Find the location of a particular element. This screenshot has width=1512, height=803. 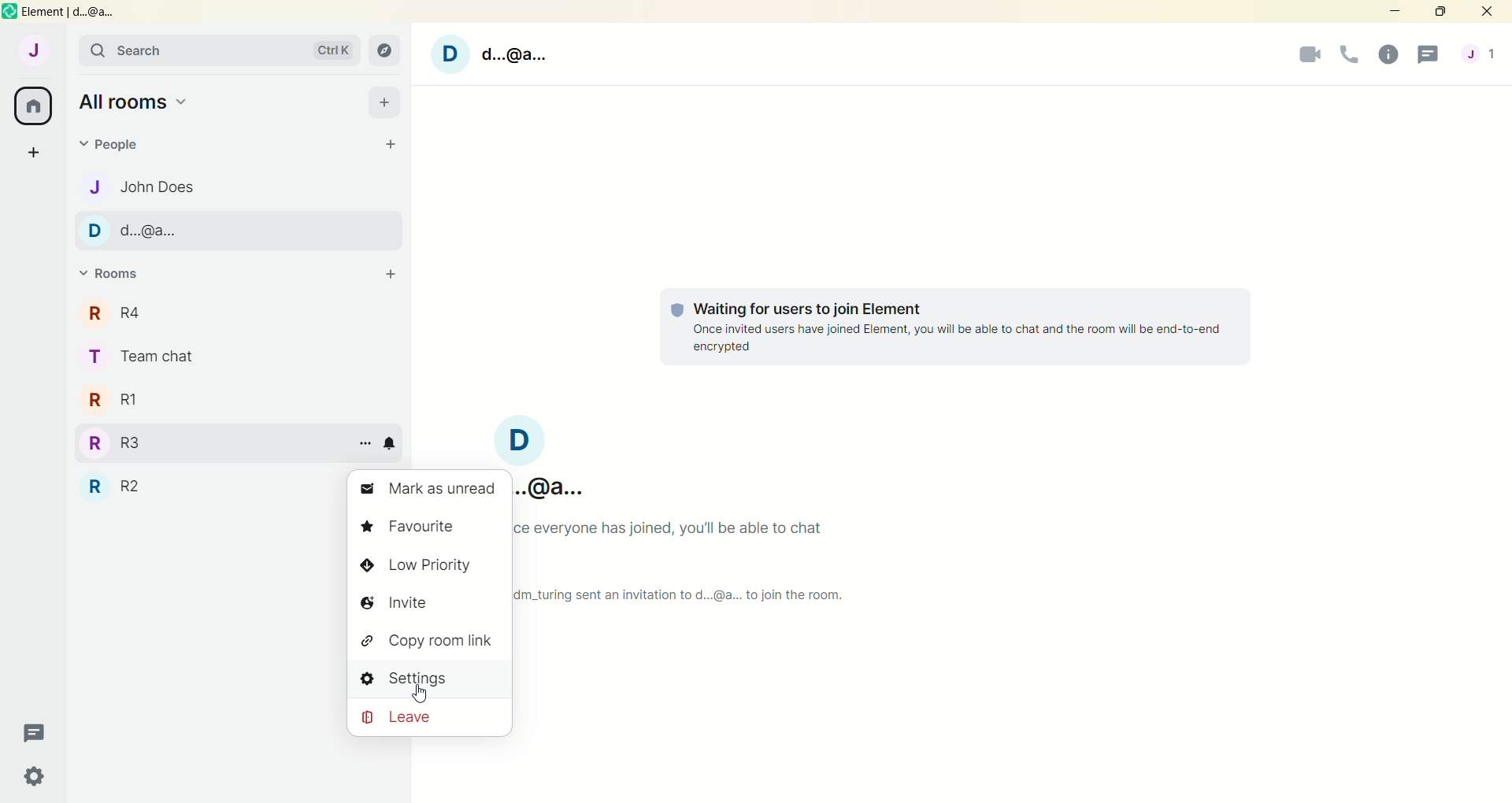

maximize is located at coordinates (1447, 15).